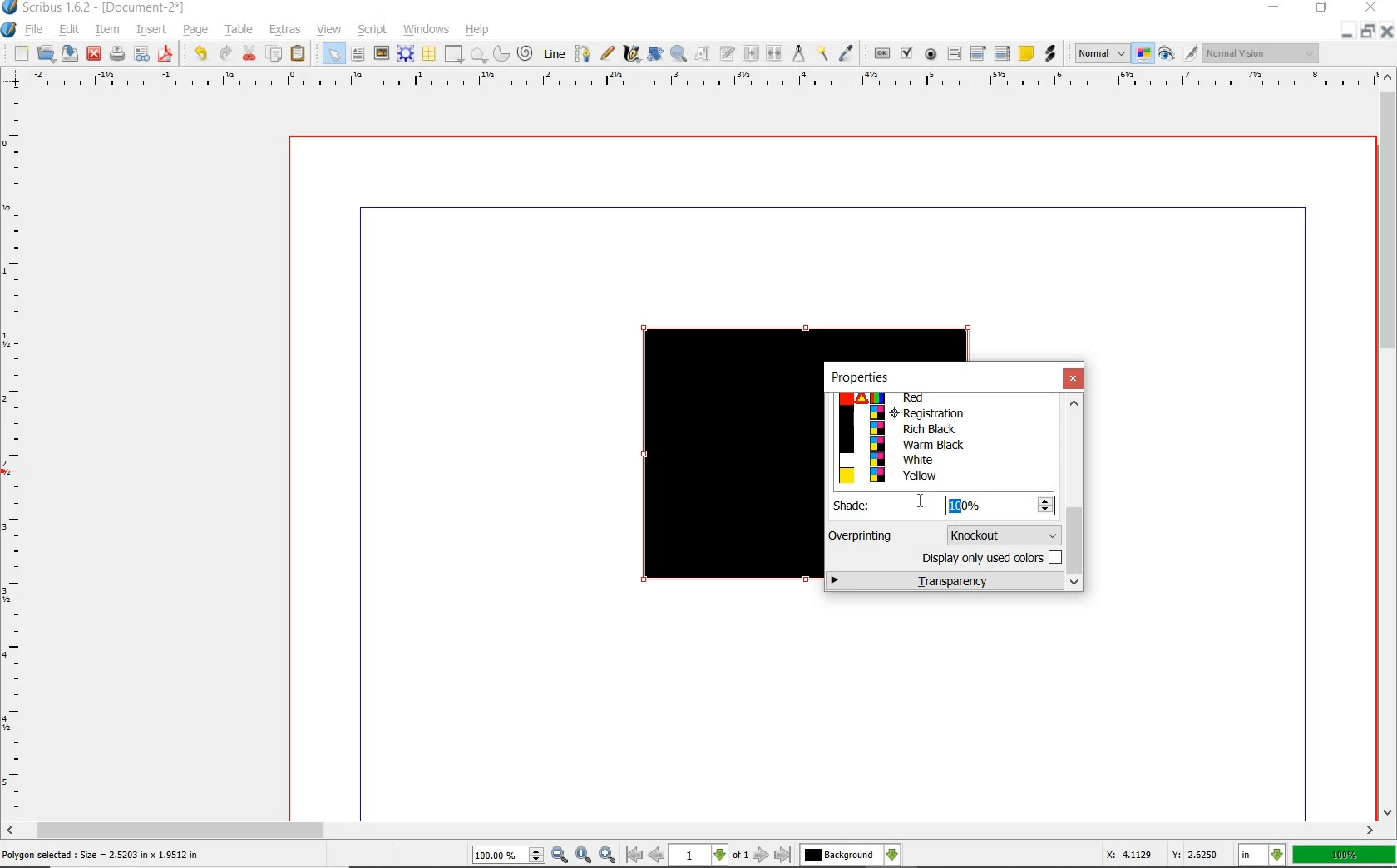  Describe the element at coordinates (1074, 379) in the screenshot. I see `close` at that location.